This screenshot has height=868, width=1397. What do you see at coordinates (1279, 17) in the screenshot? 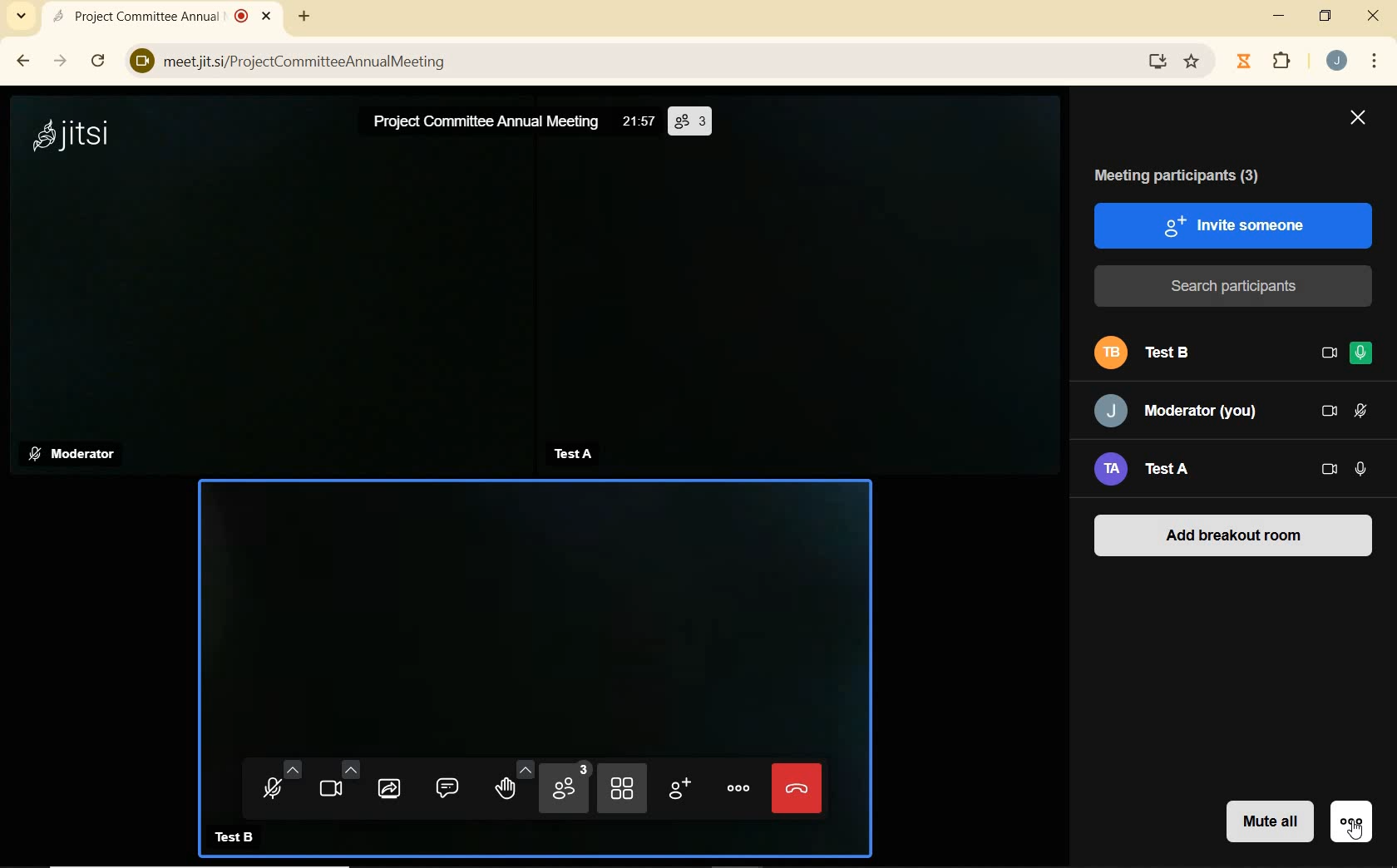
I see `MINIMIZE` at bounding box center [1279, 17].